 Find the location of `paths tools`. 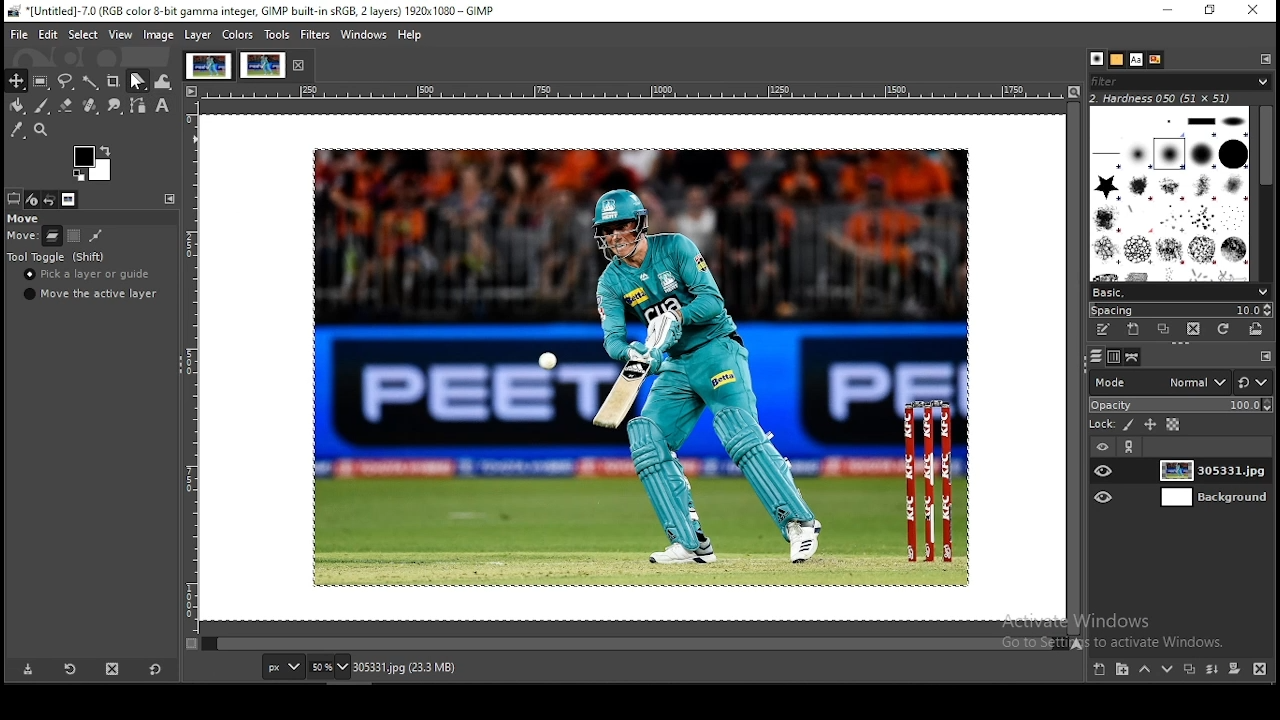

paths tools is located at coordinates (138, 105).